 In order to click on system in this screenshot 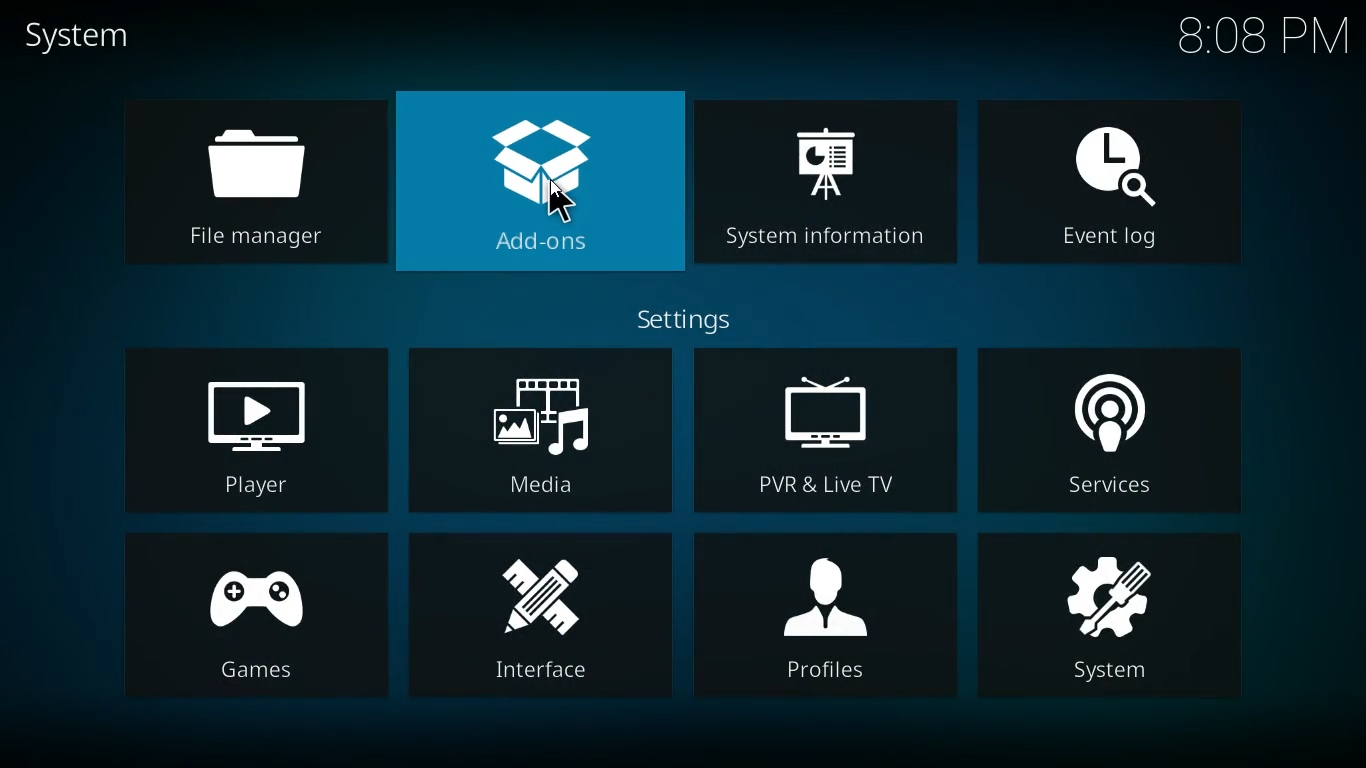, I will do `click(84, 36)`.